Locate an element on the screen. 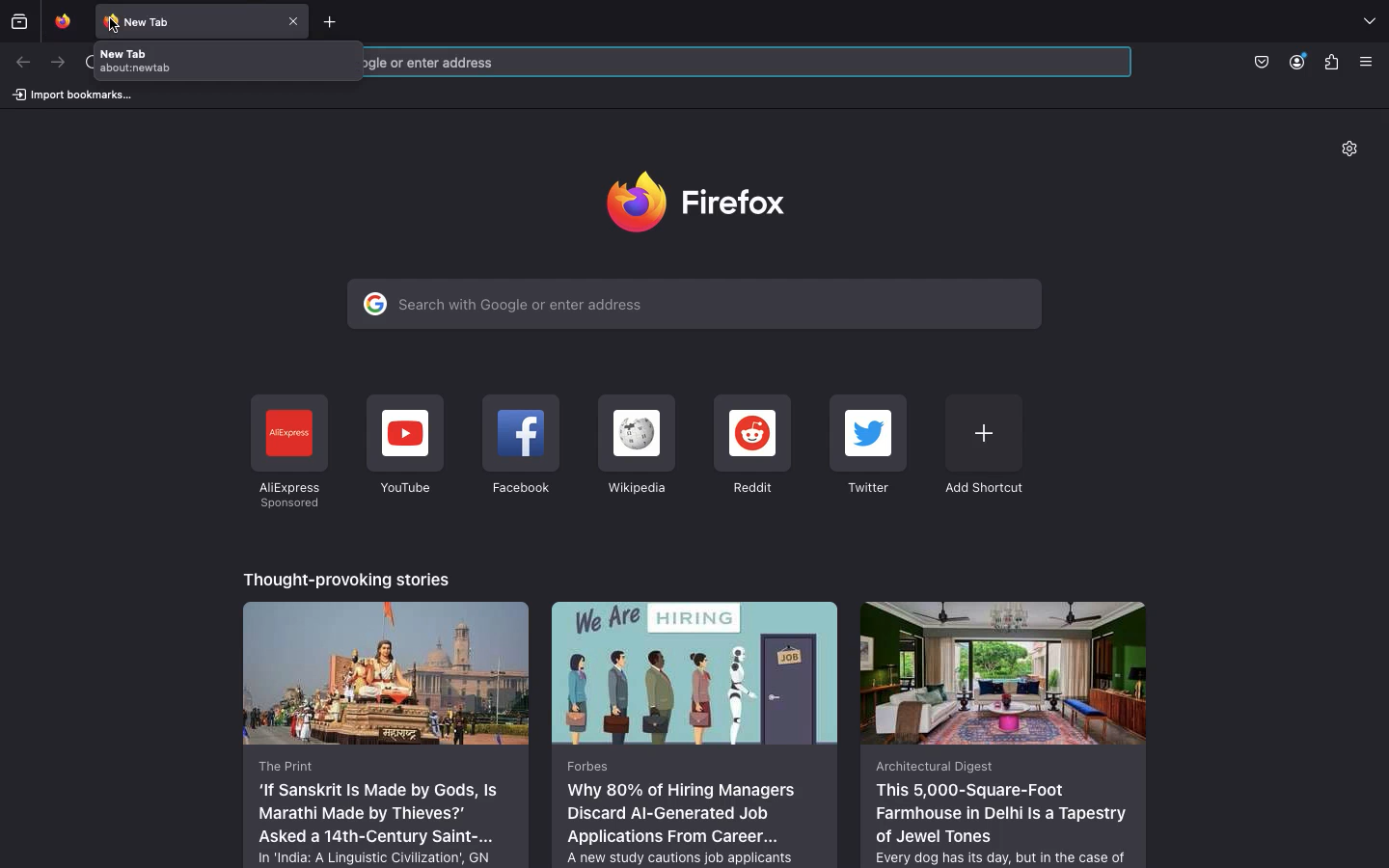  Import bookmarks is located at coordinates (71, 94).